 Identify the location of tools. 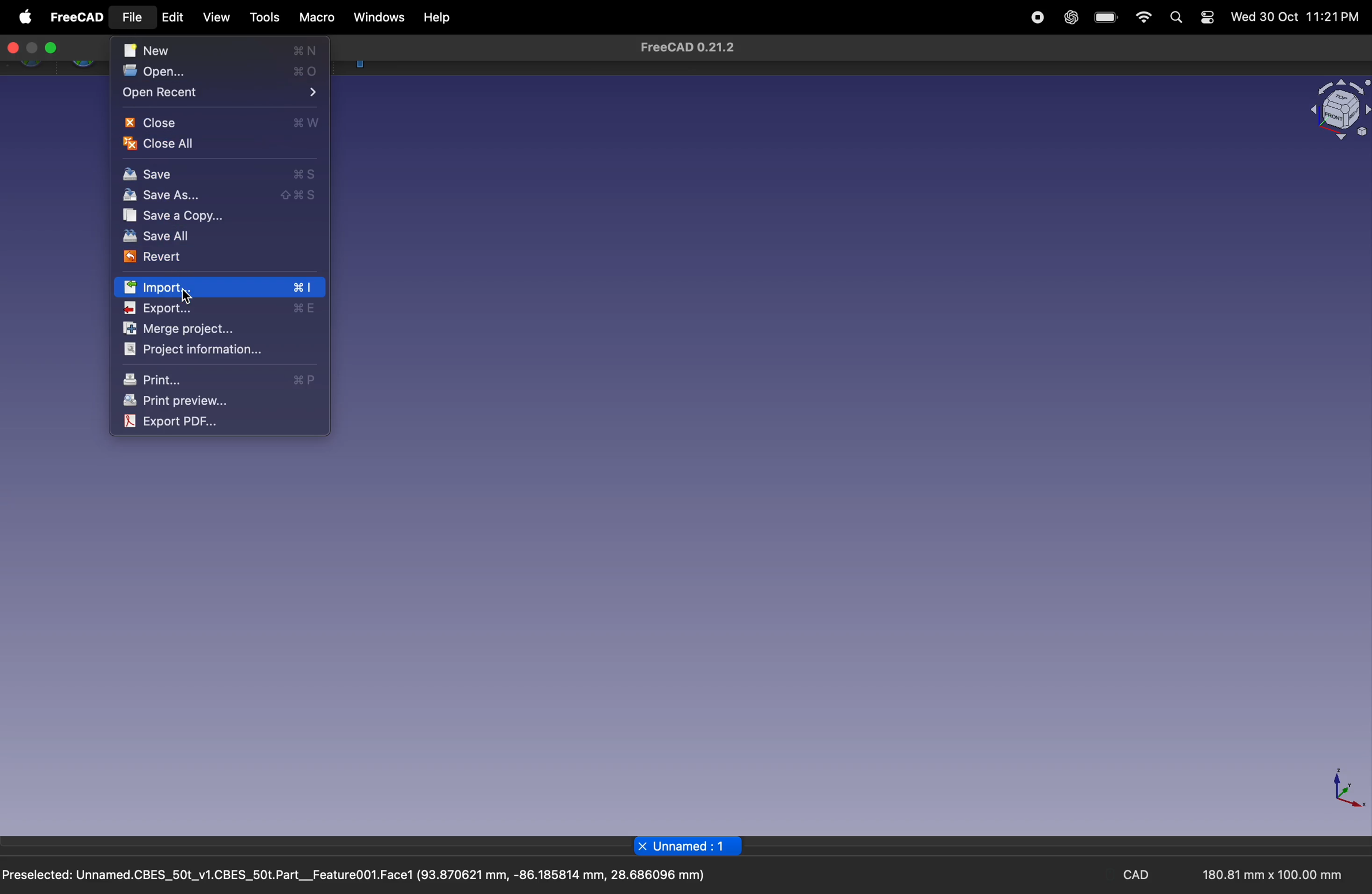
(261, 17).